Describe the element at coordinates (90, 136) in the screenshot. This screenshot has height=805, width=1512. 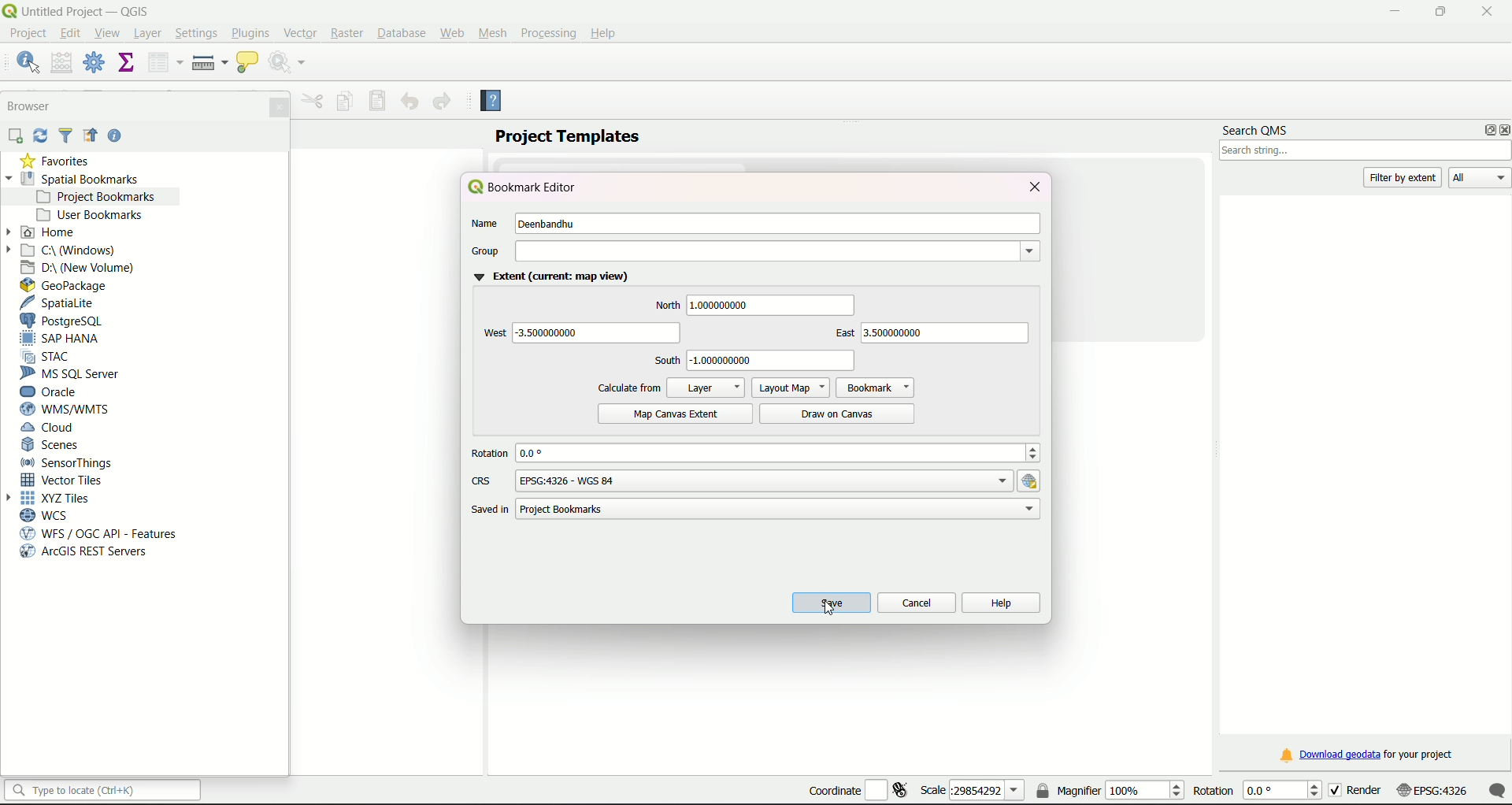
I see `Icon` at that location.